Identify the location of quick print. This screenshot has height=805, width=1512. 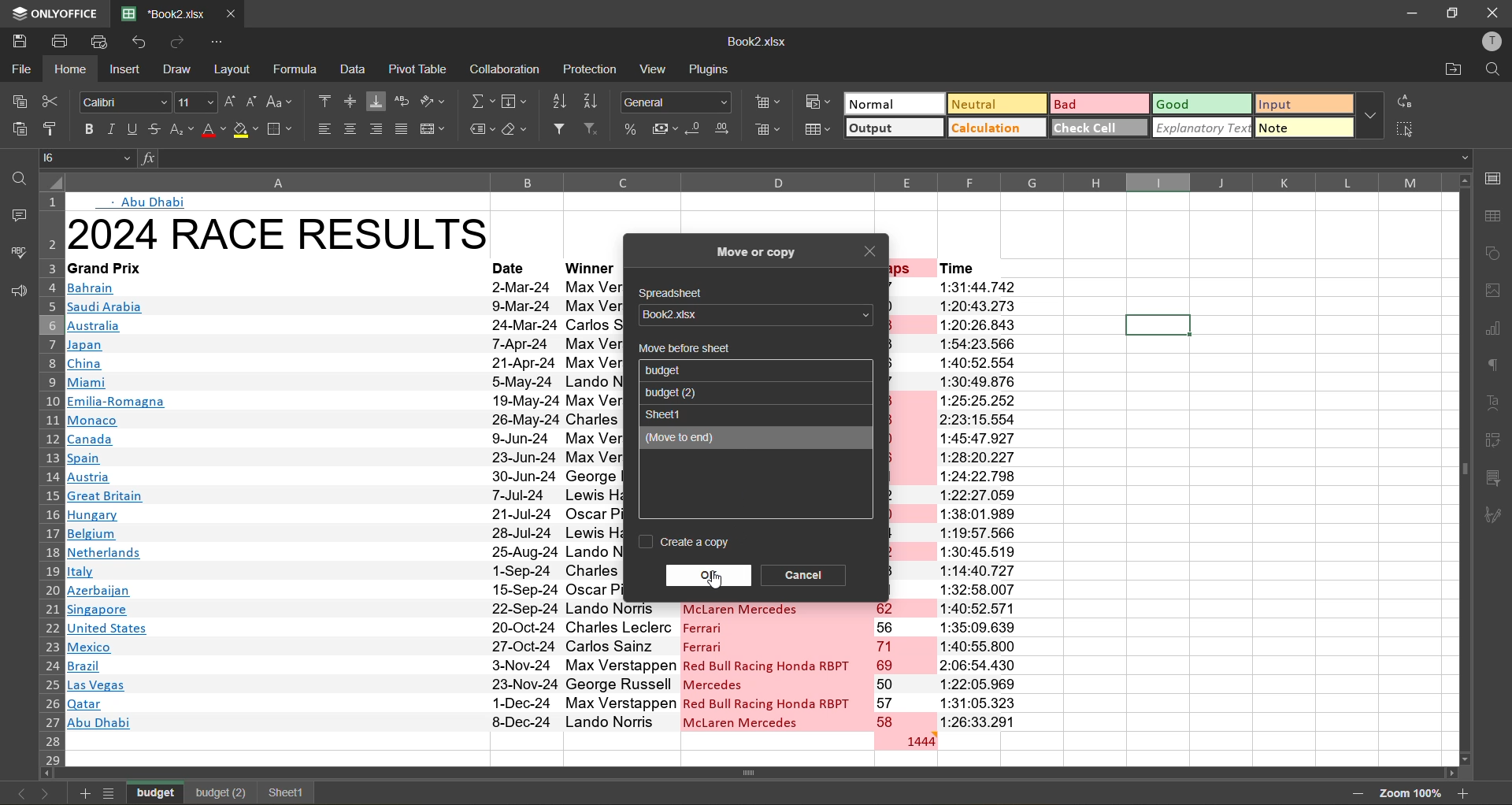
(101, 40).